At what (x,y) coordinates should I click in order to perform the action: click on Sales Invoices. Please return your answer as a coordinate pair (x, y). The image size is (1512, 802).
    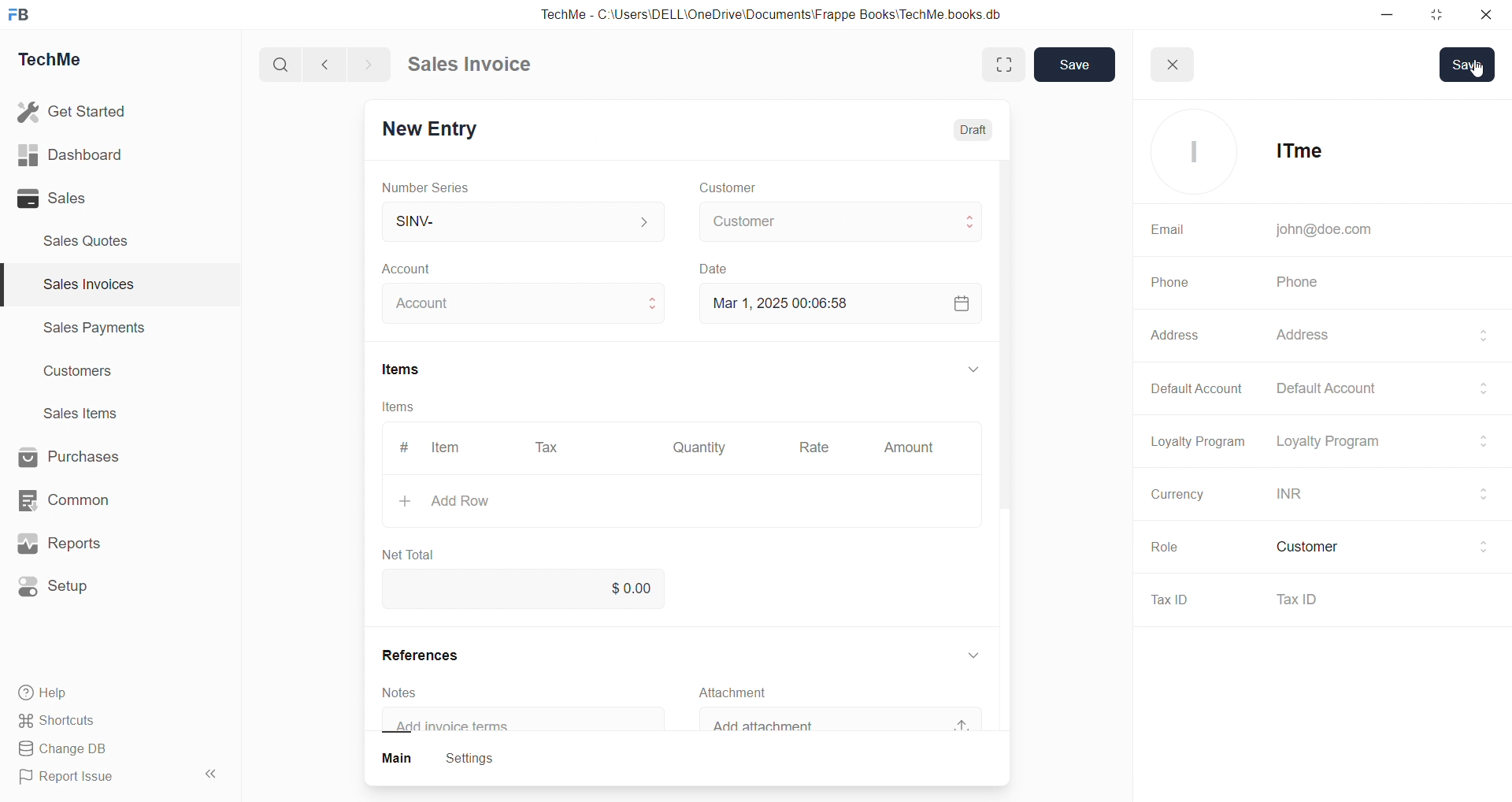
    Looking at the image, I should click on (82, 287).